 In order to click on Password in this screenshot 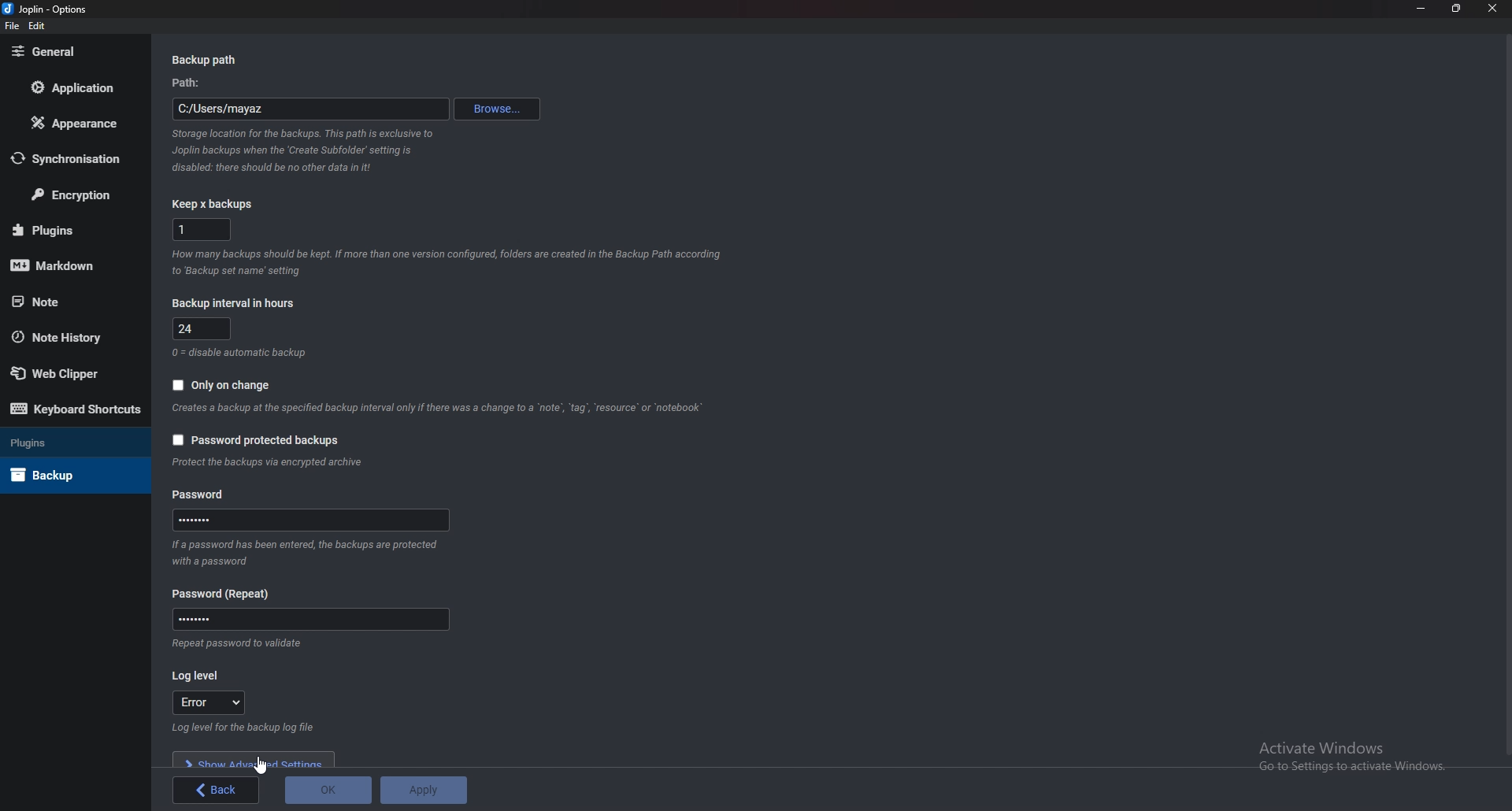, I will do `click(309, 619)`.